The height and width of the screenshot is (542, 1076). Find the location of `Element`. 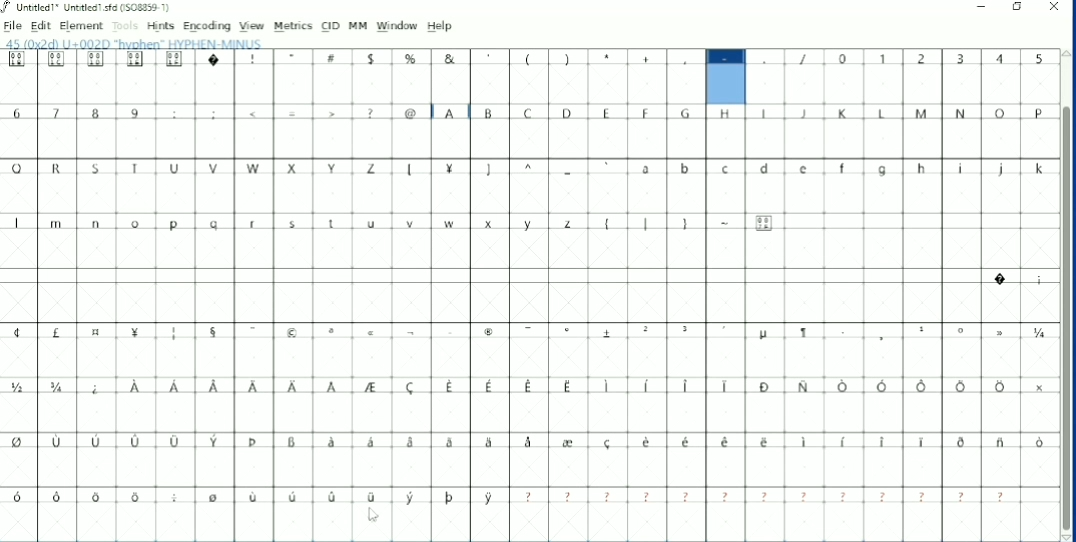

Element is located at coordinates (81, 26).